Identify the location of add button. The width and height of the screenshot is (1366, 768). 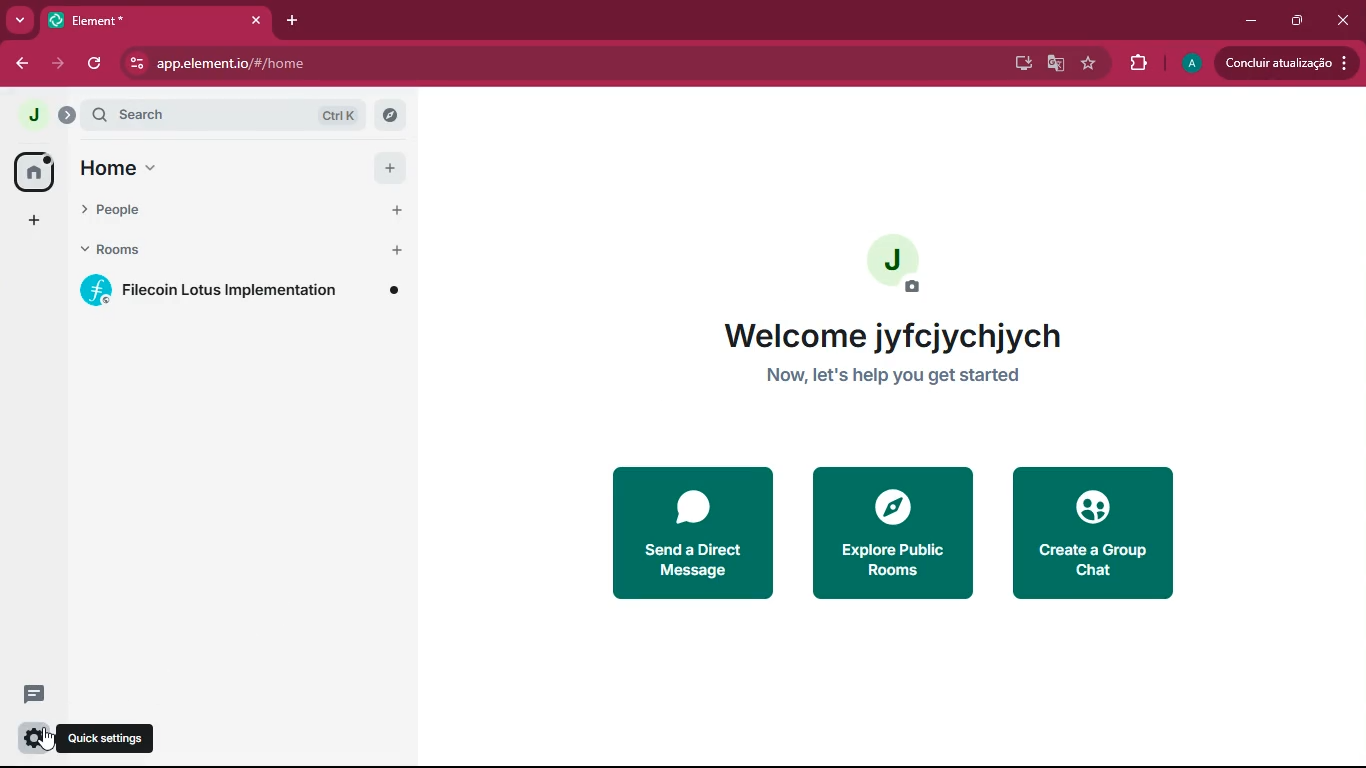
(387, 166).